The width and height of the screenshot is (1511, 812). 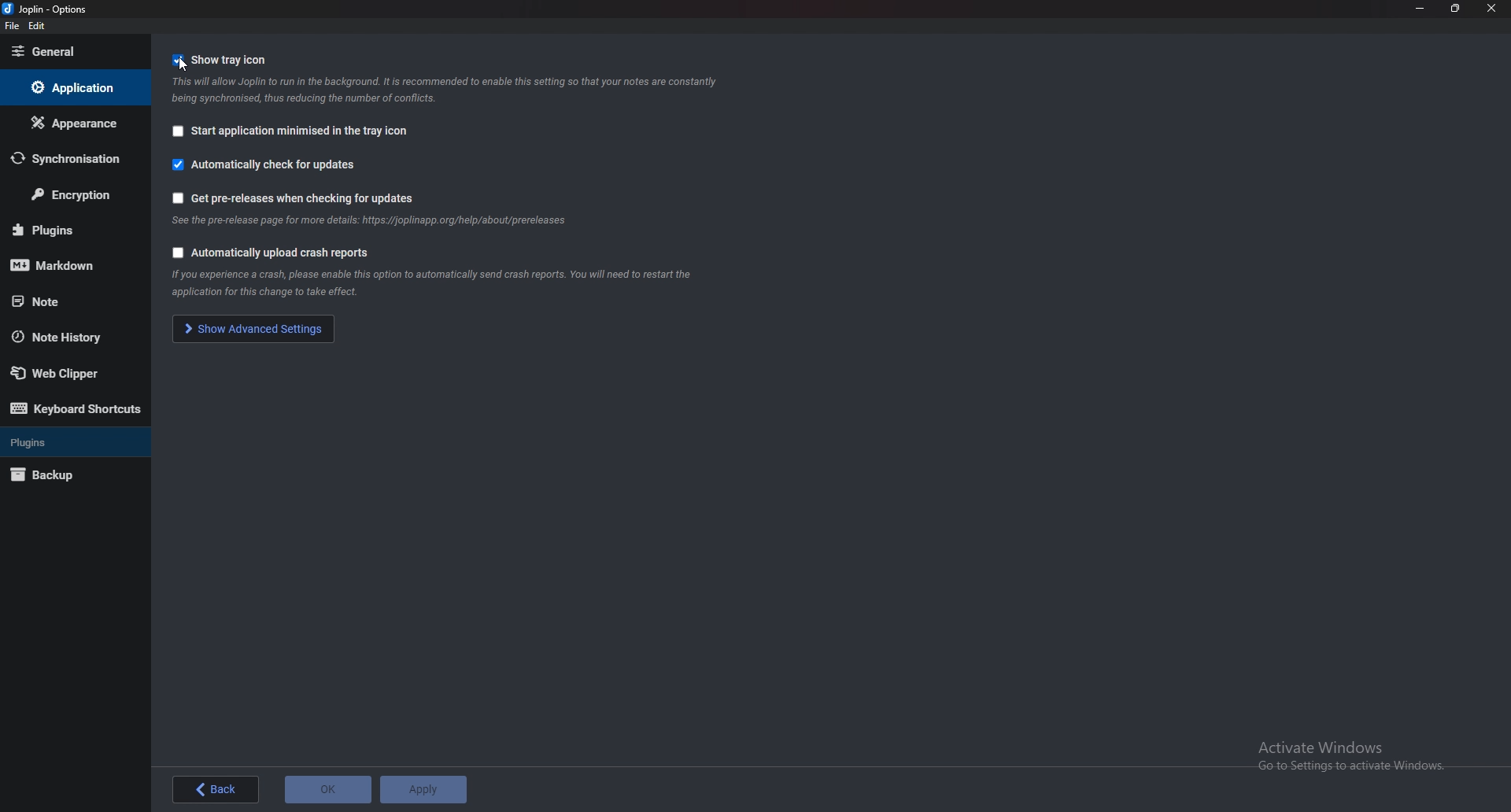 I want to click on Plugins, so click(x=67, y=442).